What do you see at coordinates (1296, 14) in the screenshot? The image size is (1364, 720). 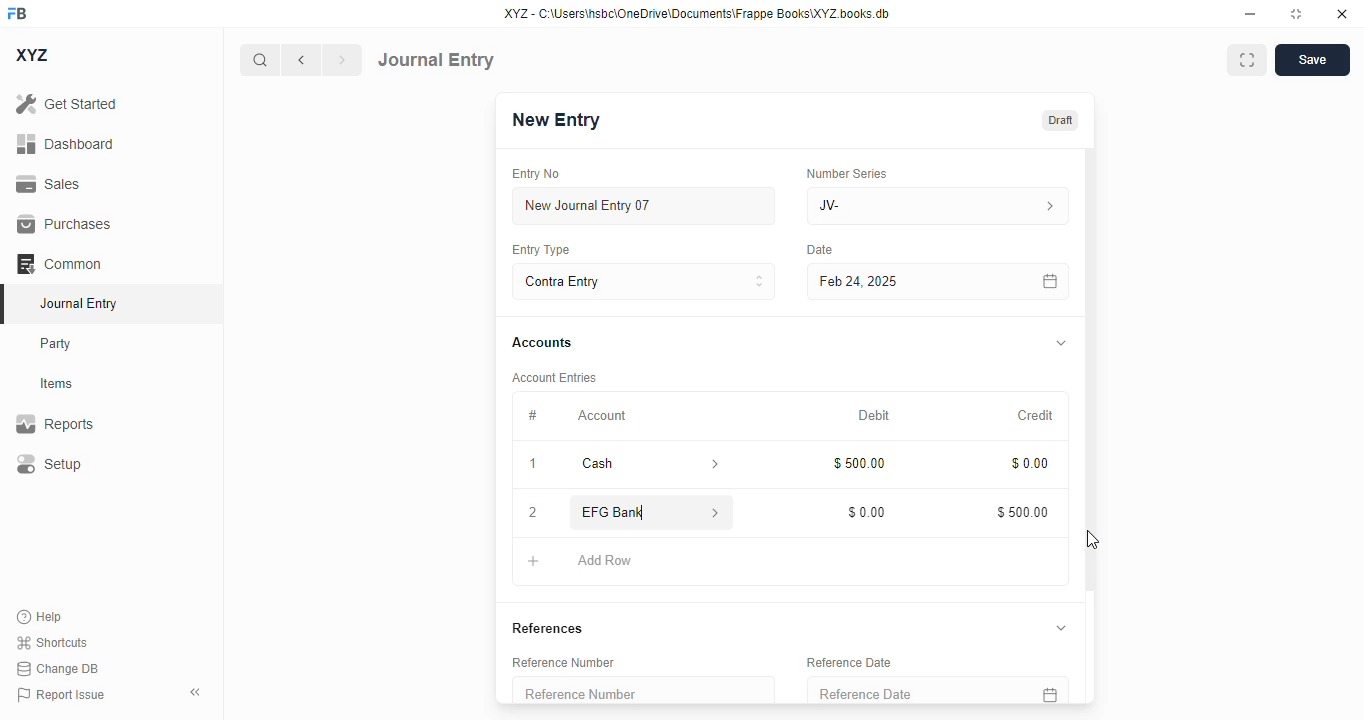 I see `toggle maximize` at bounding box center [1296, 14].